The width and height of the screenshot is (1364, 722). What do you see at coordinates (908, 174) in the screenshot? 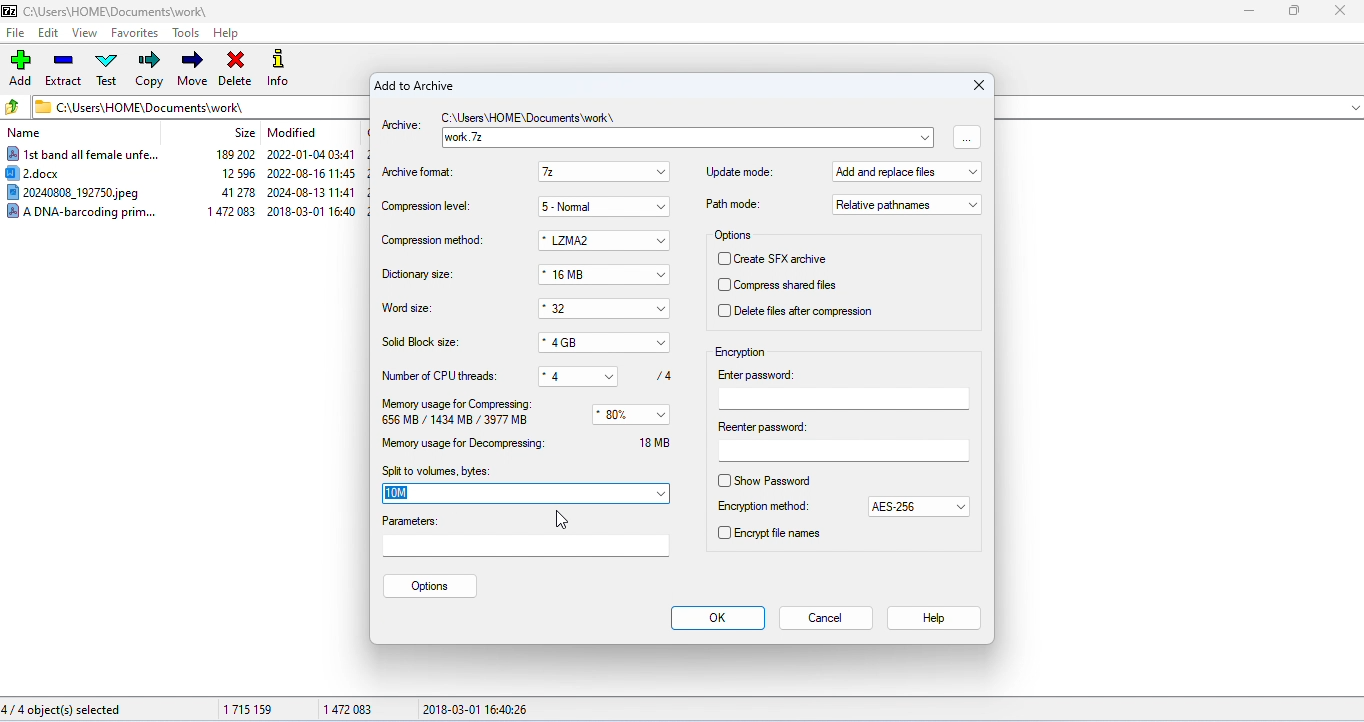
I see `add and replace files` at bounding box center [908, 174].